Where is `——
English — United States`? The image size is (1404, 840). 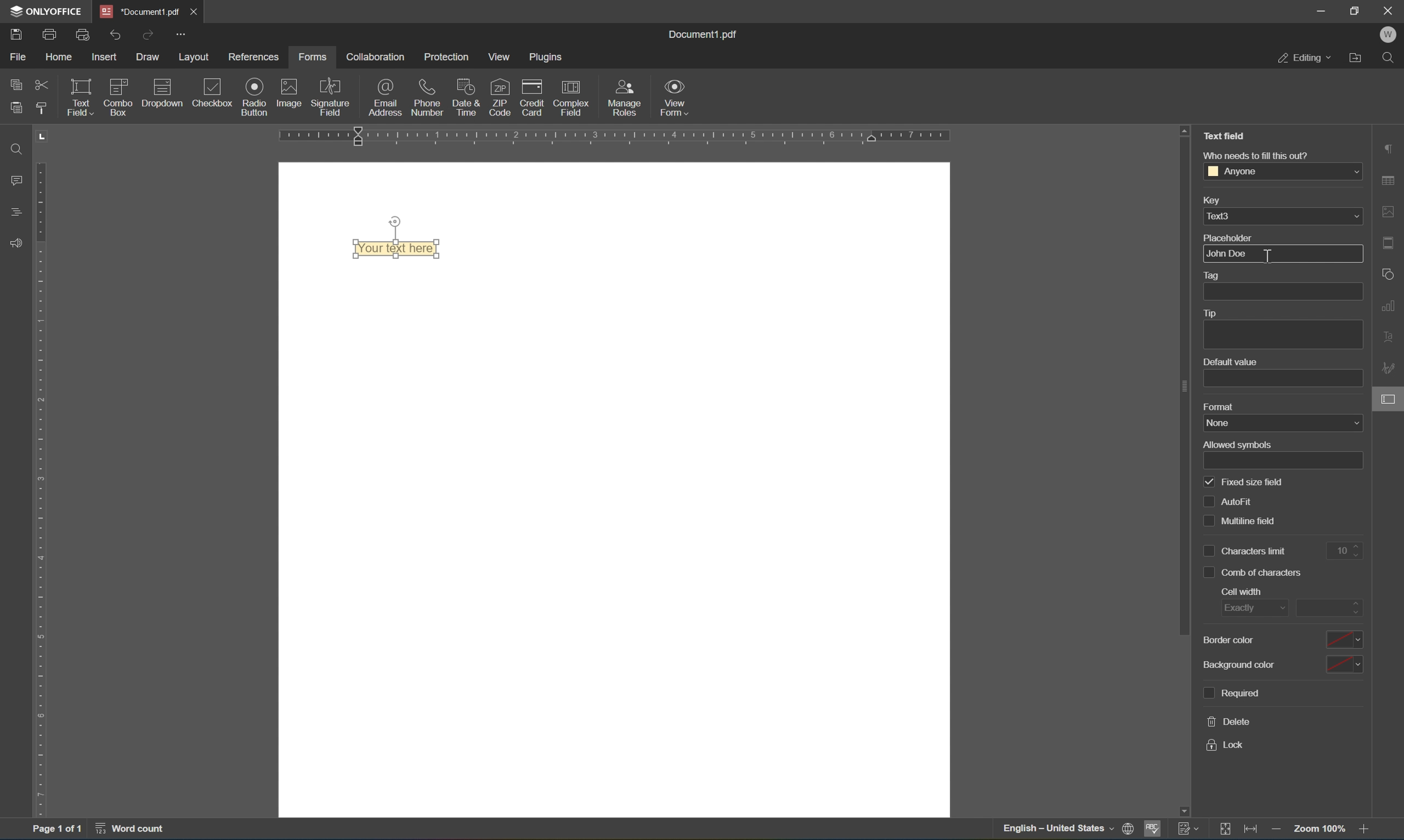 ——
English — United States is located at coordinates (1046, 831).